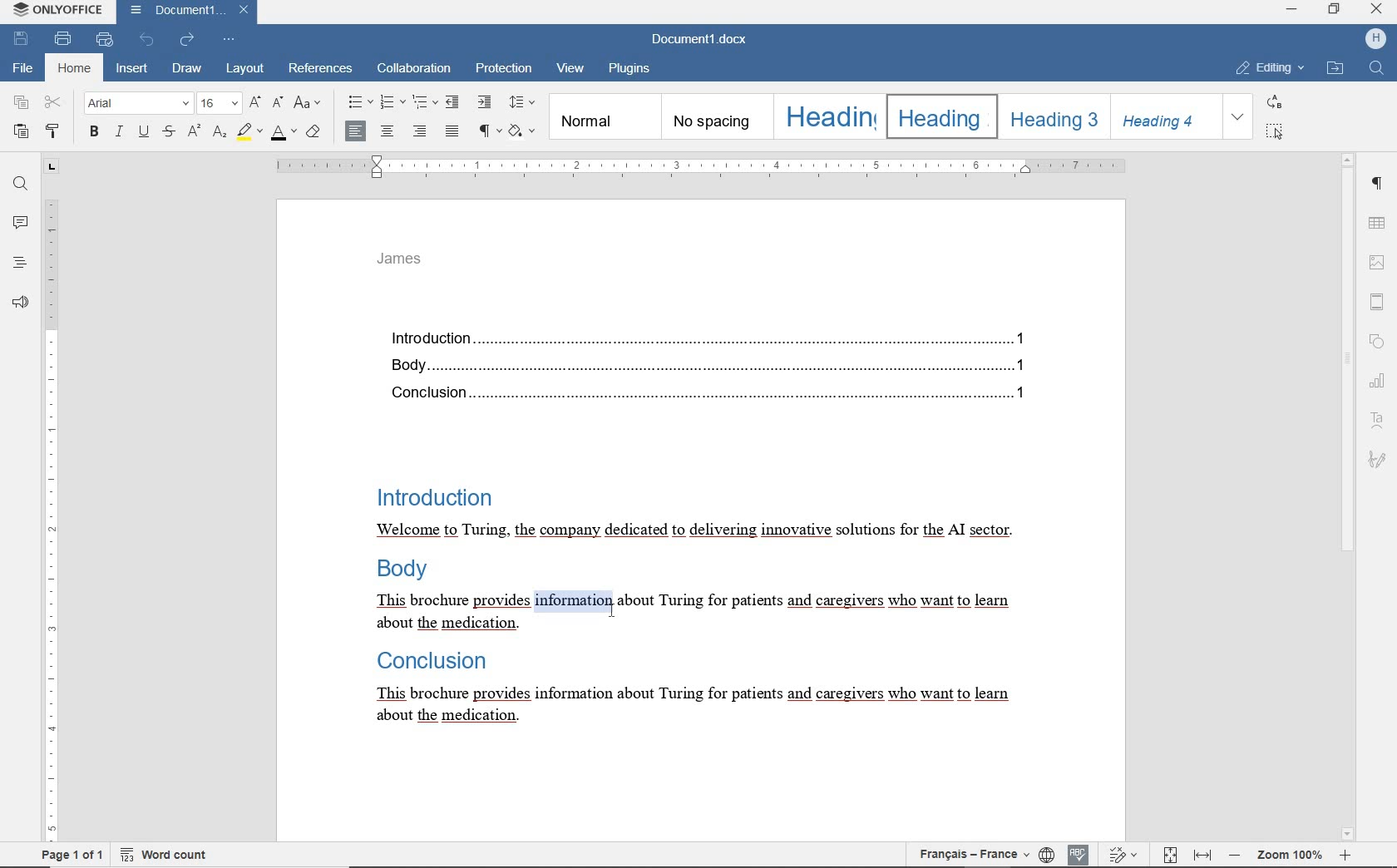  What do you see at coordinates (503, 70) in the screenshot?
I see `PROTECTION` at bounding box center [503, 70].